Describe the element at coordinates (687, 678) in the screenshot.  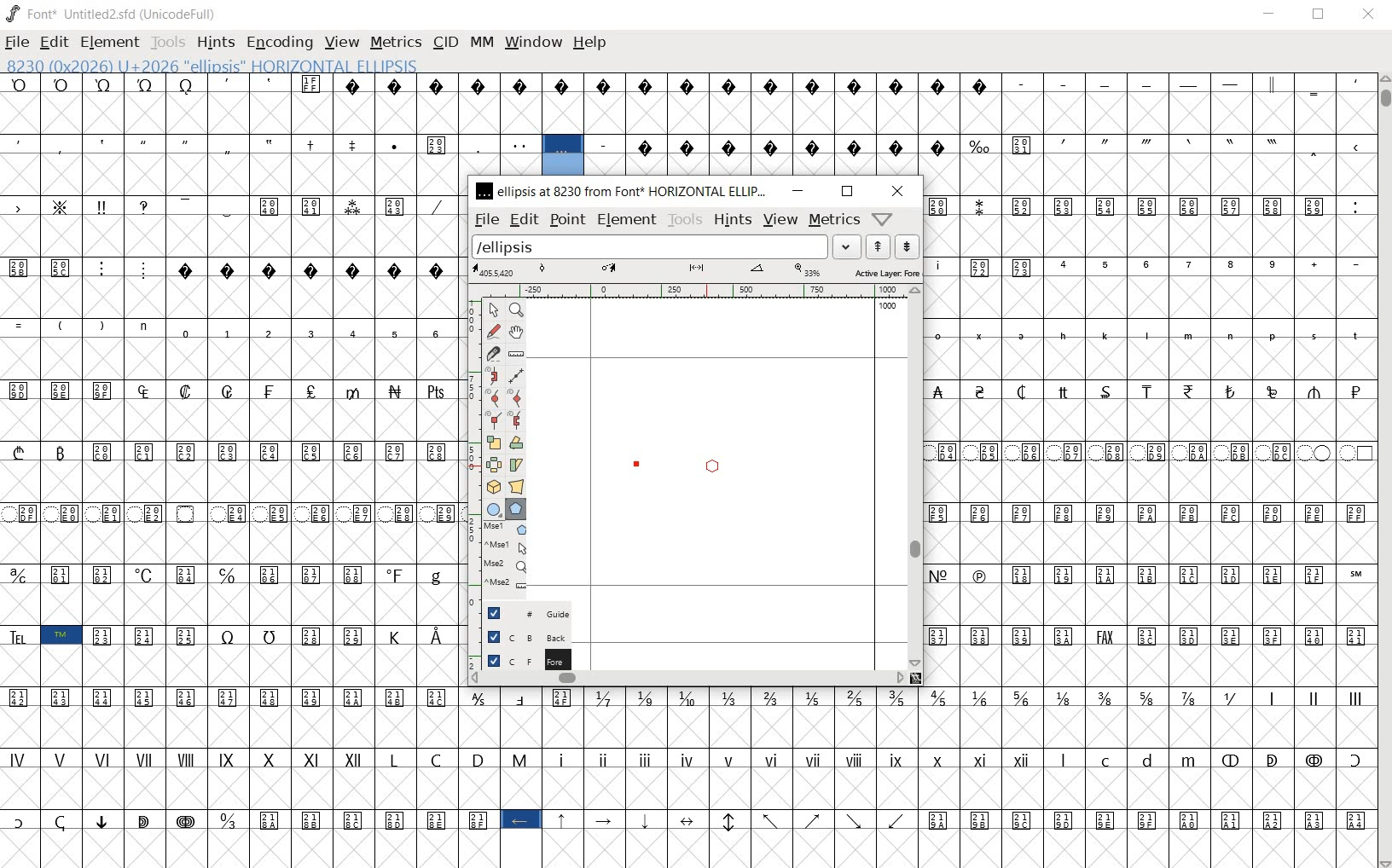
I see `scrollbar` at that location.